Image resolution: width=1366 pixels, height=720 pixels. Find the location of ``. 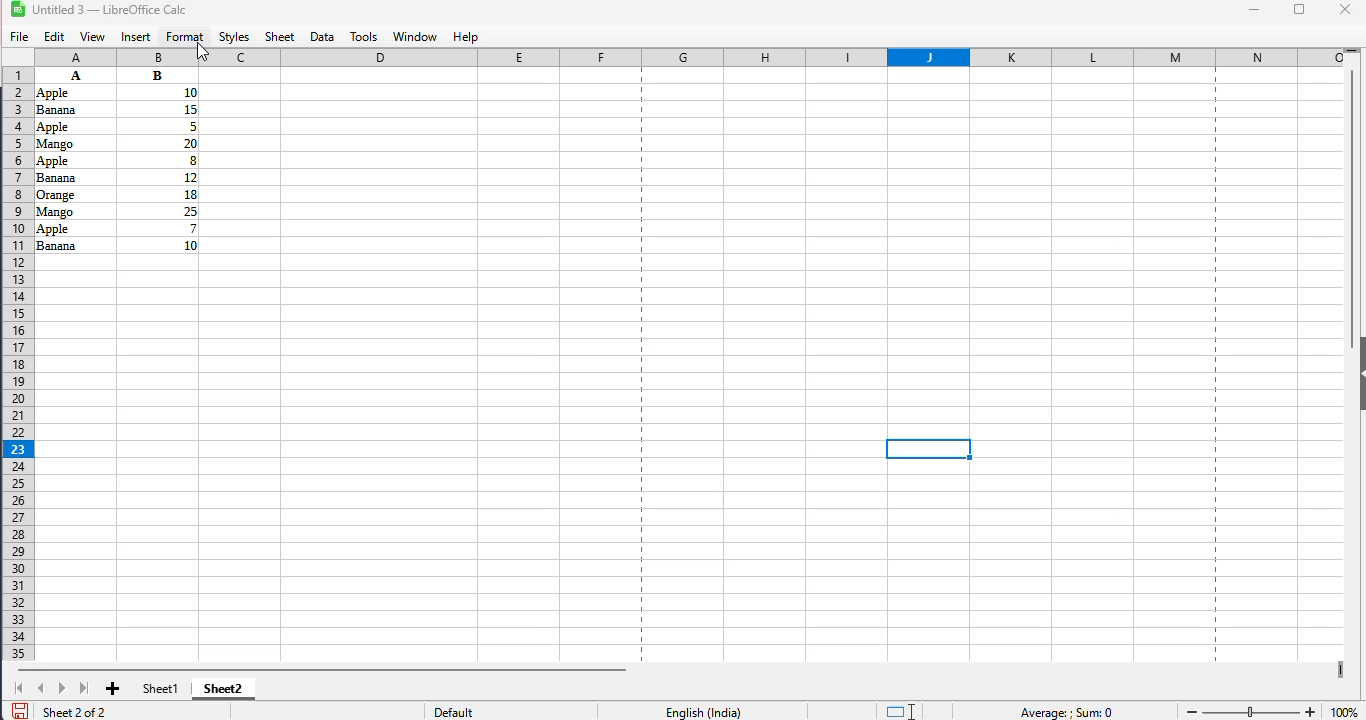

 is located at coordinates (158, 126).